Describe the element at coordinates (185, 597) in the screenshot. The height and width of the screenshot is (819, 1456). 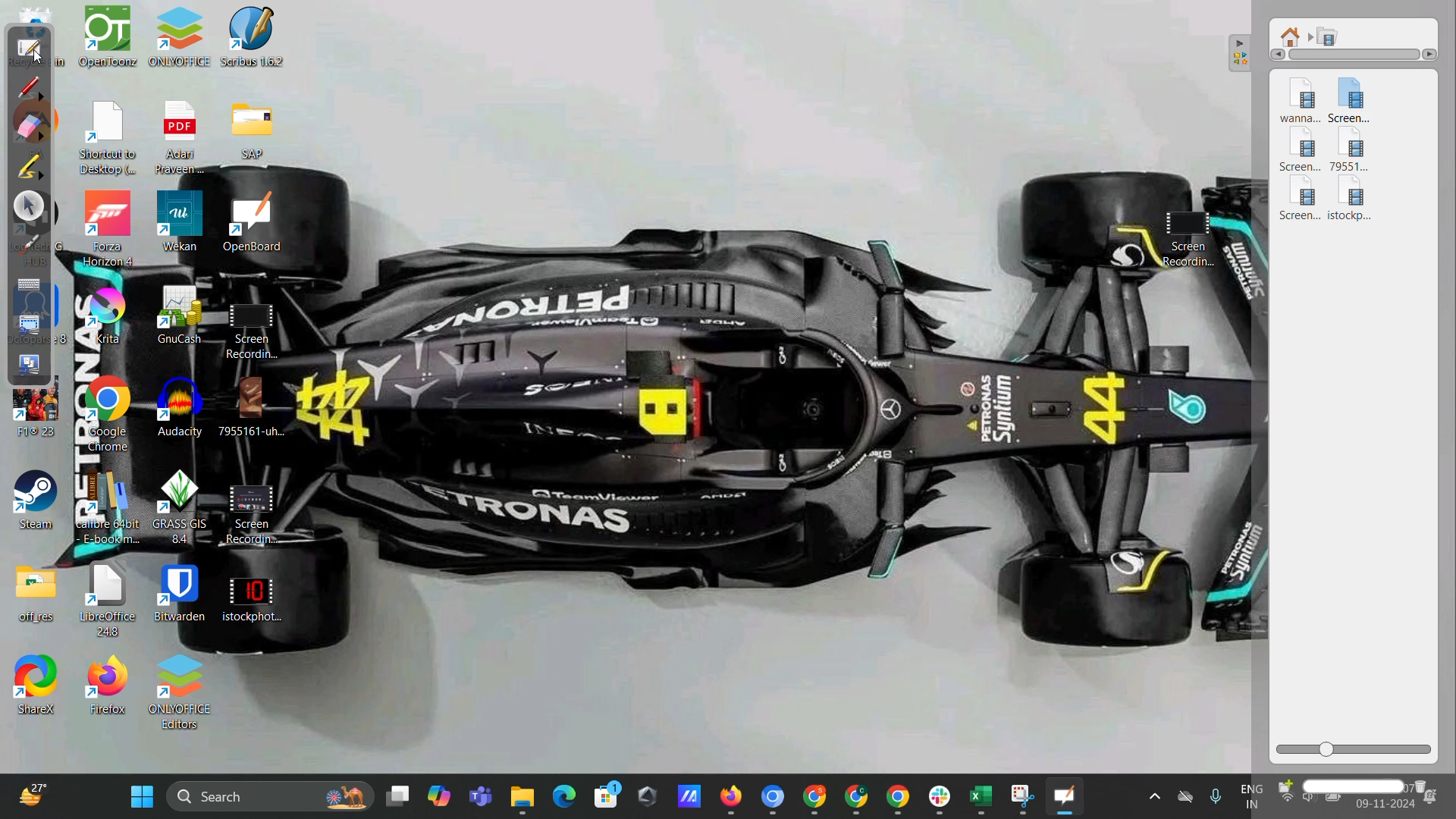
I see `Bitwarden` at that location.